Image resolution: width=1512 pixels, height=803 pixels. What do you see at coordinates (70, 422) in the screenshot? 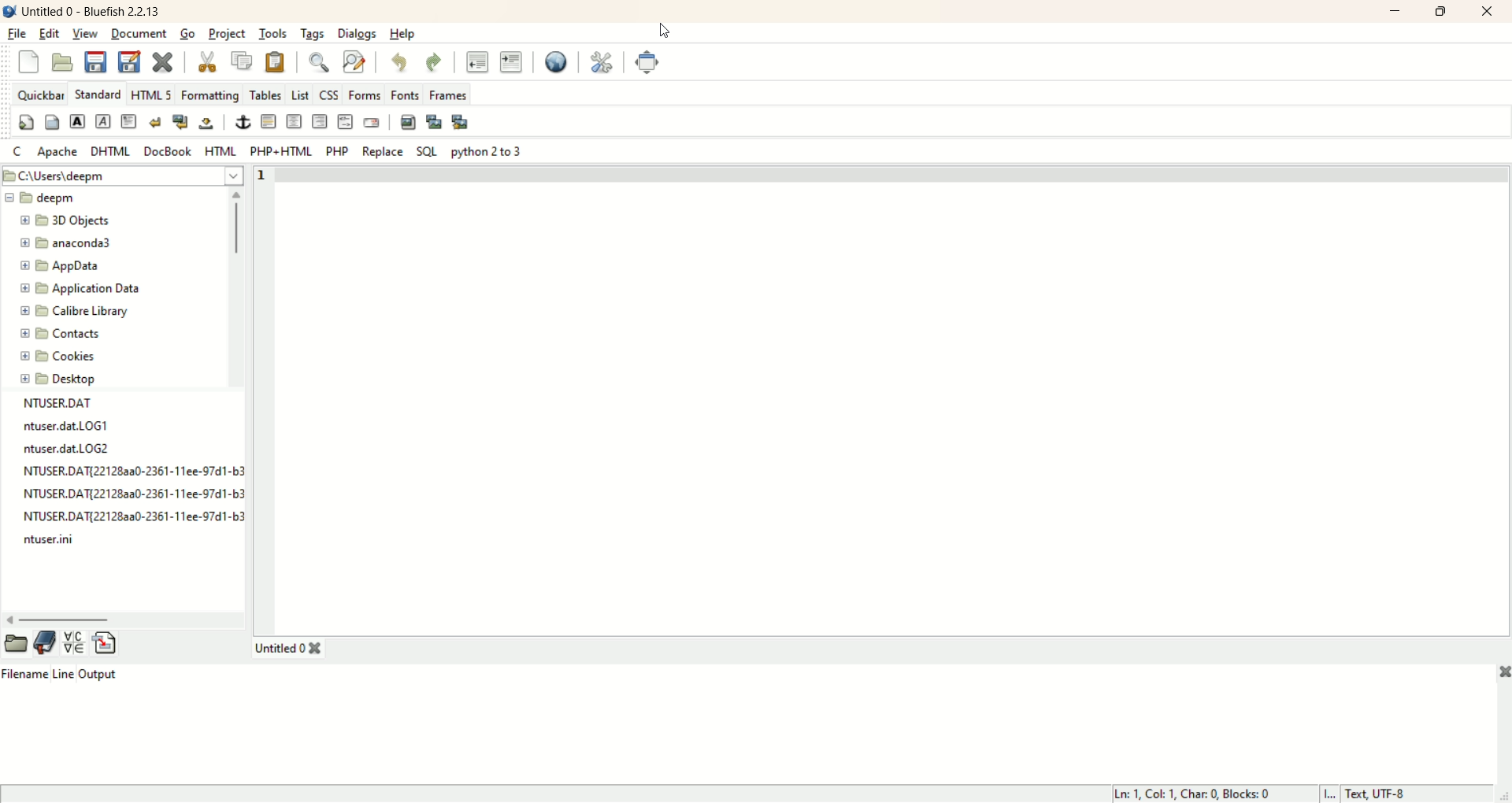
I see `ntuser.dat.LOG1` at bounding box center [70, 422].